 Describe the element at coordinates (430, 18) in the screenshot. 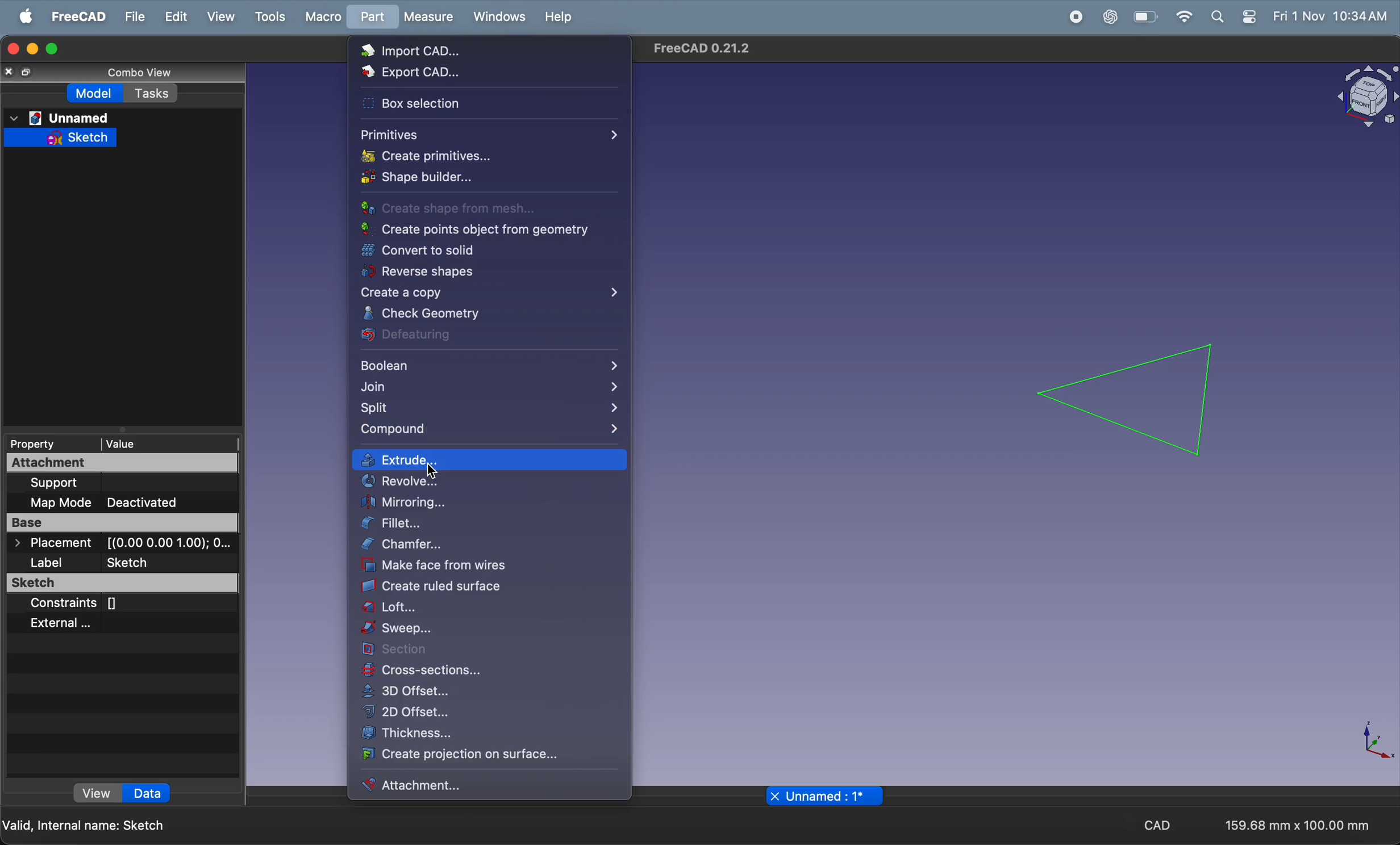

I see `measure` at that location.